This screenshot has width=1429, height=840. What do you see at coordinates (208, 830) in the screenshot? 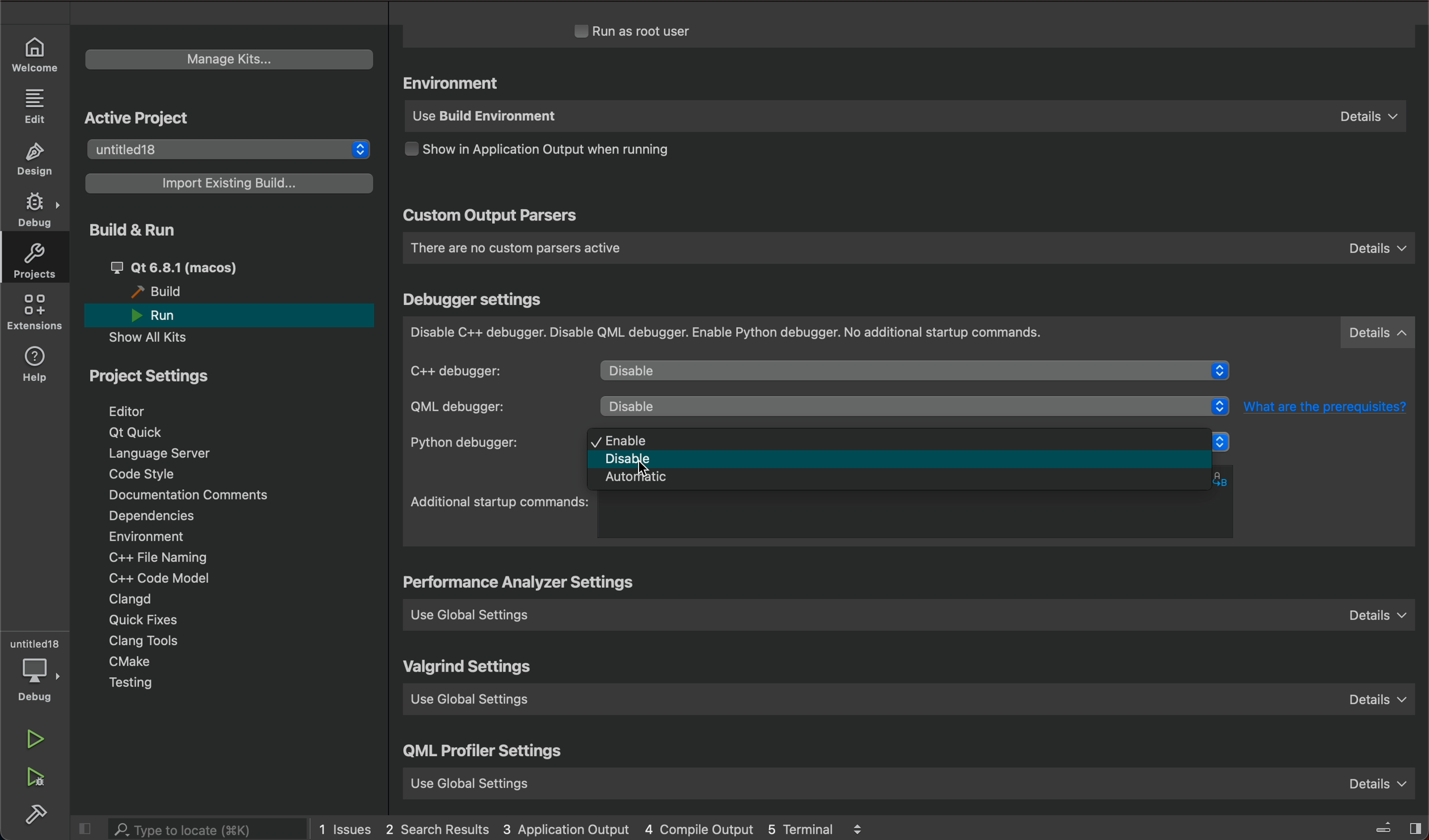
I see `search` at bounding box center [208, 830].